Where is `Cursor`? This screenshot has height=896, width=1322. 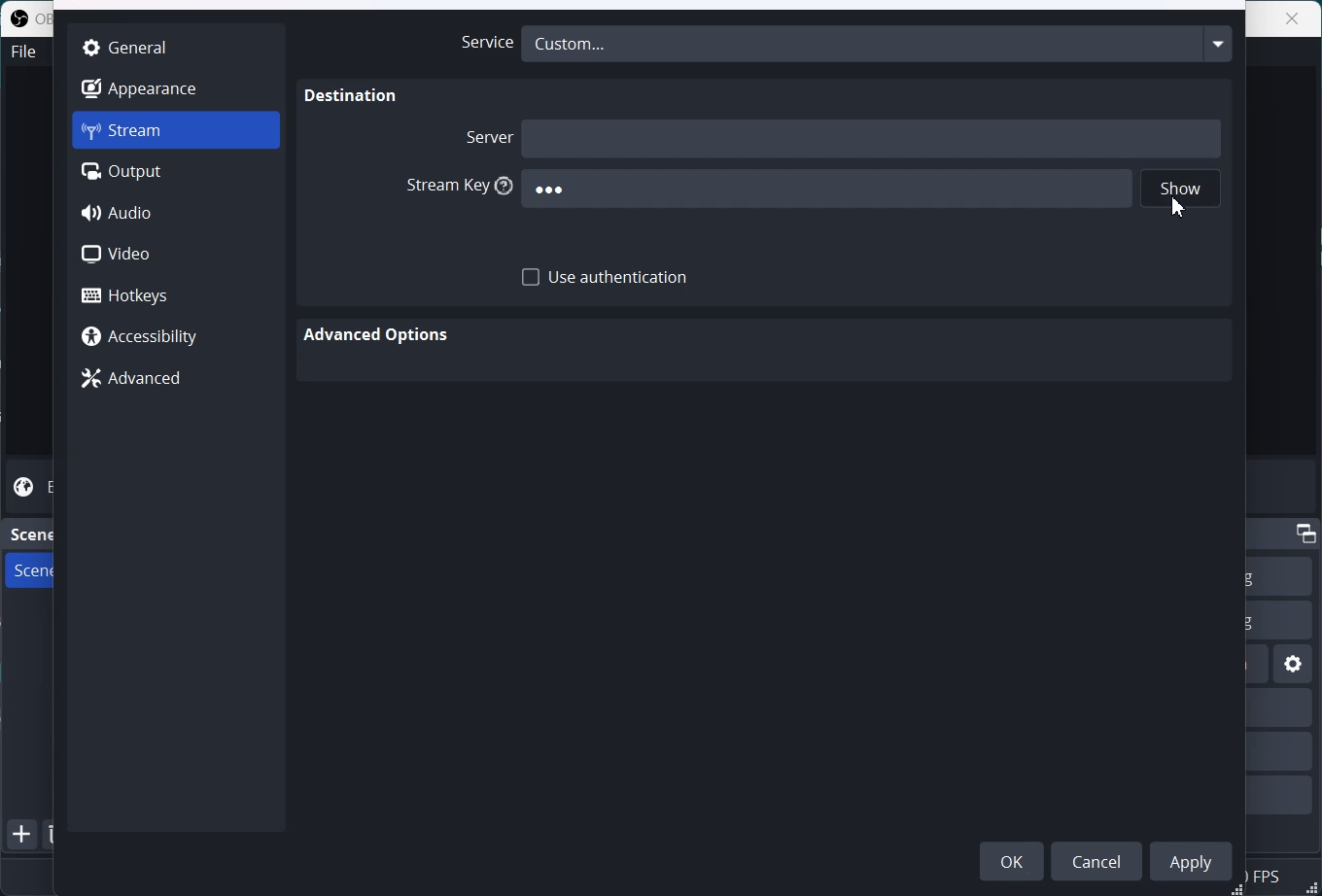 Cursor is located at coordinates (1180, 207).